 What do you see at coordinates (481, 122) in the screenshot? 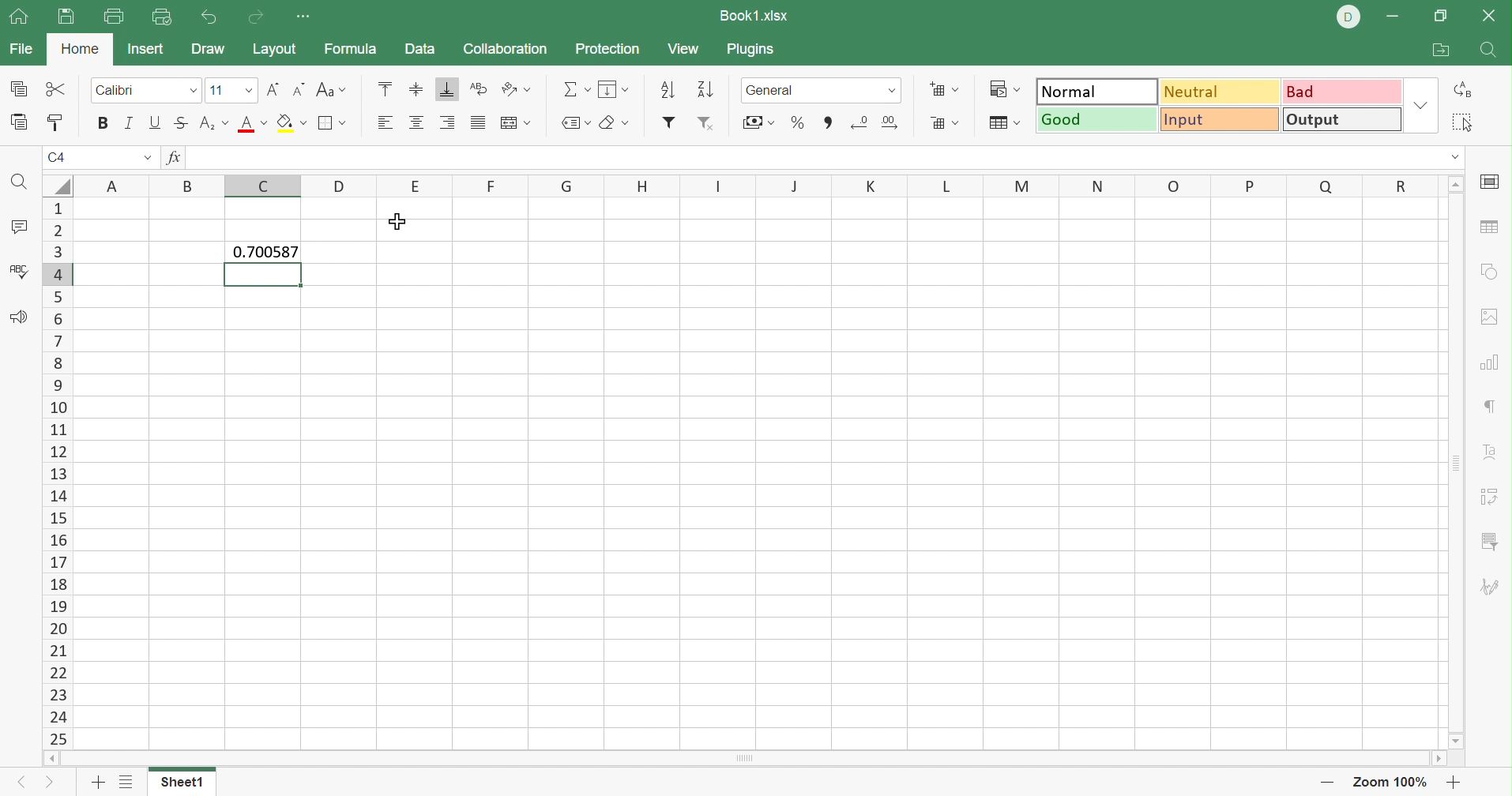
I see `Justified` at bounding box center [481, 122].